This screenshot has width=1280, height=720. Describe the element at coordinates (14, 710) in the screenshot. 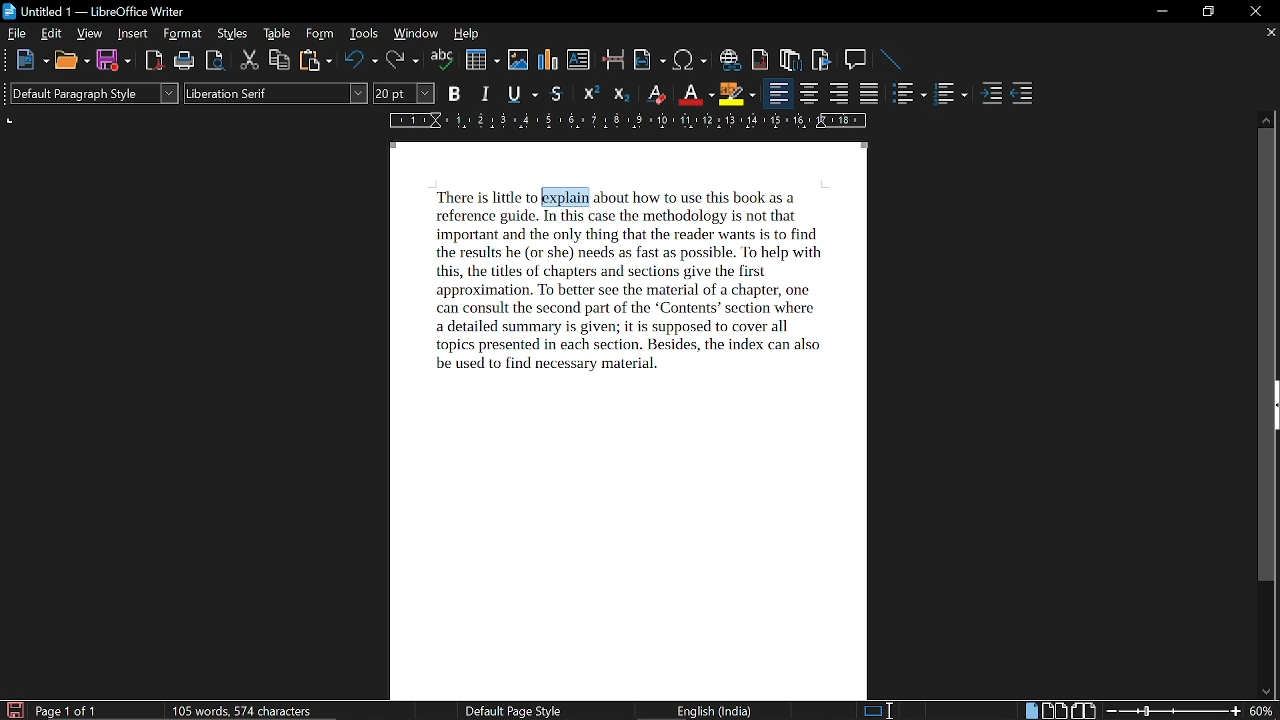

I see `save` at that location.